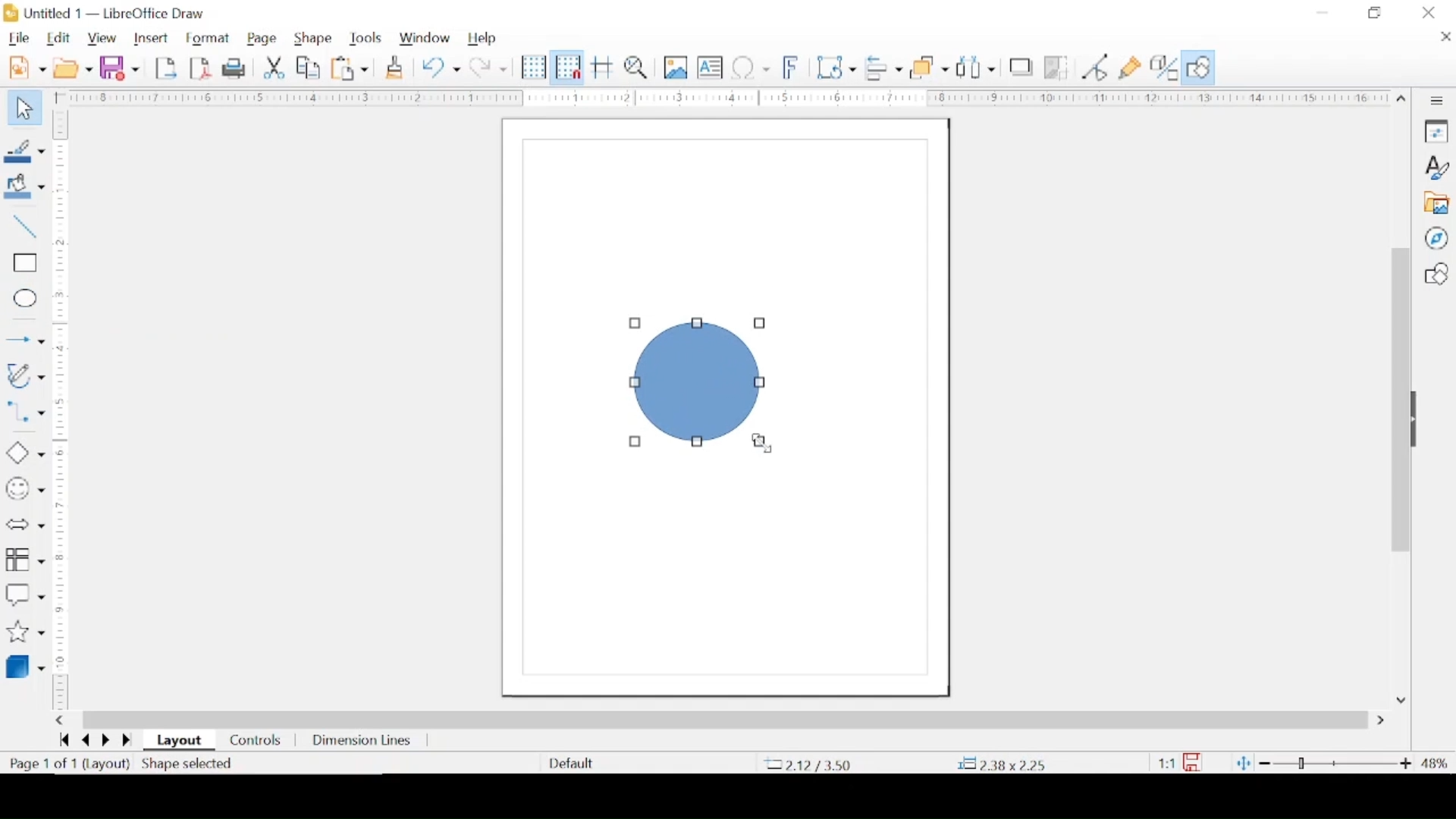 This screenshot has width=1456, height=819. I want to click on scroll left arrow, so click(63, 721).